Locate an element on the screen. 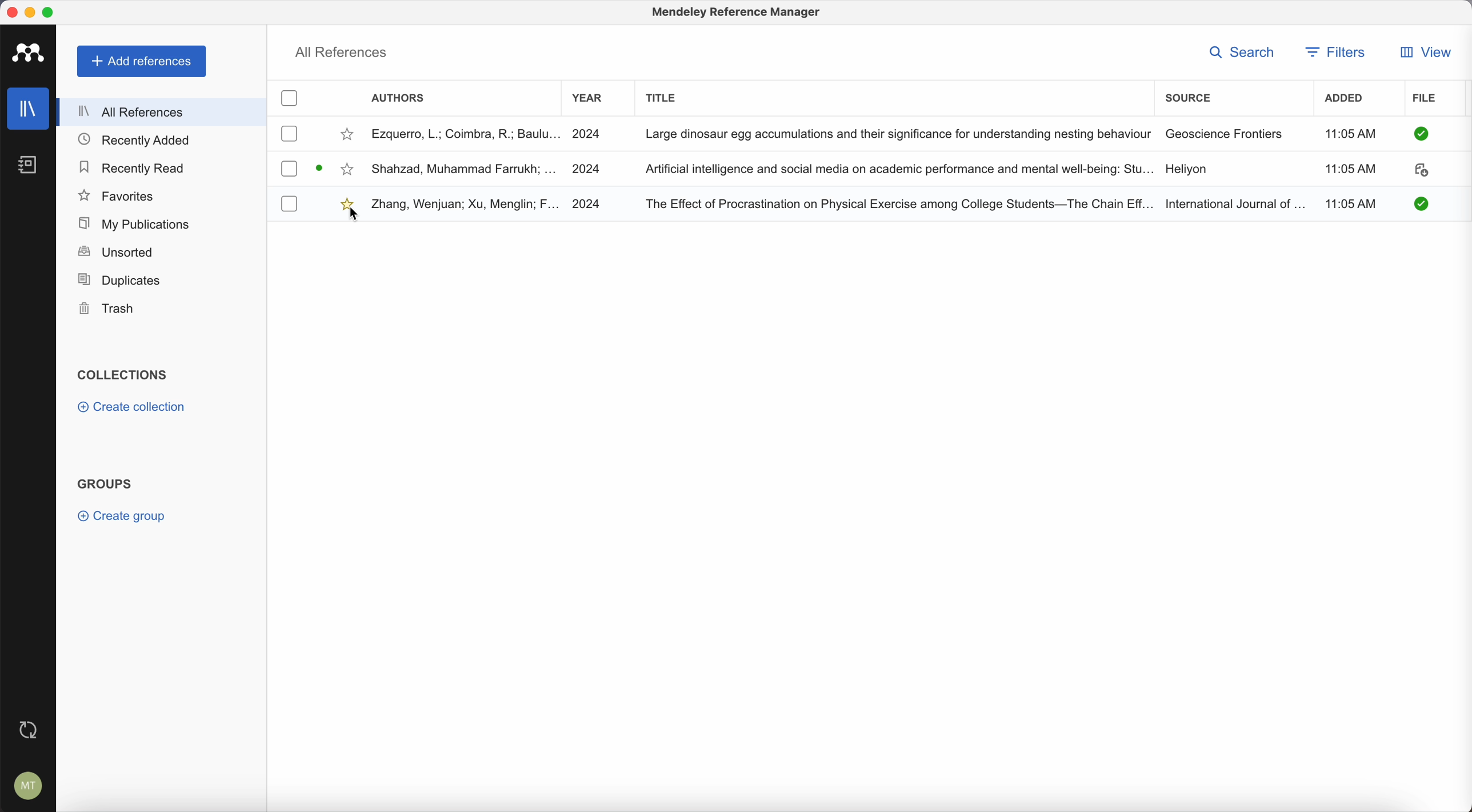  create group is located at coordinates (125, 516).